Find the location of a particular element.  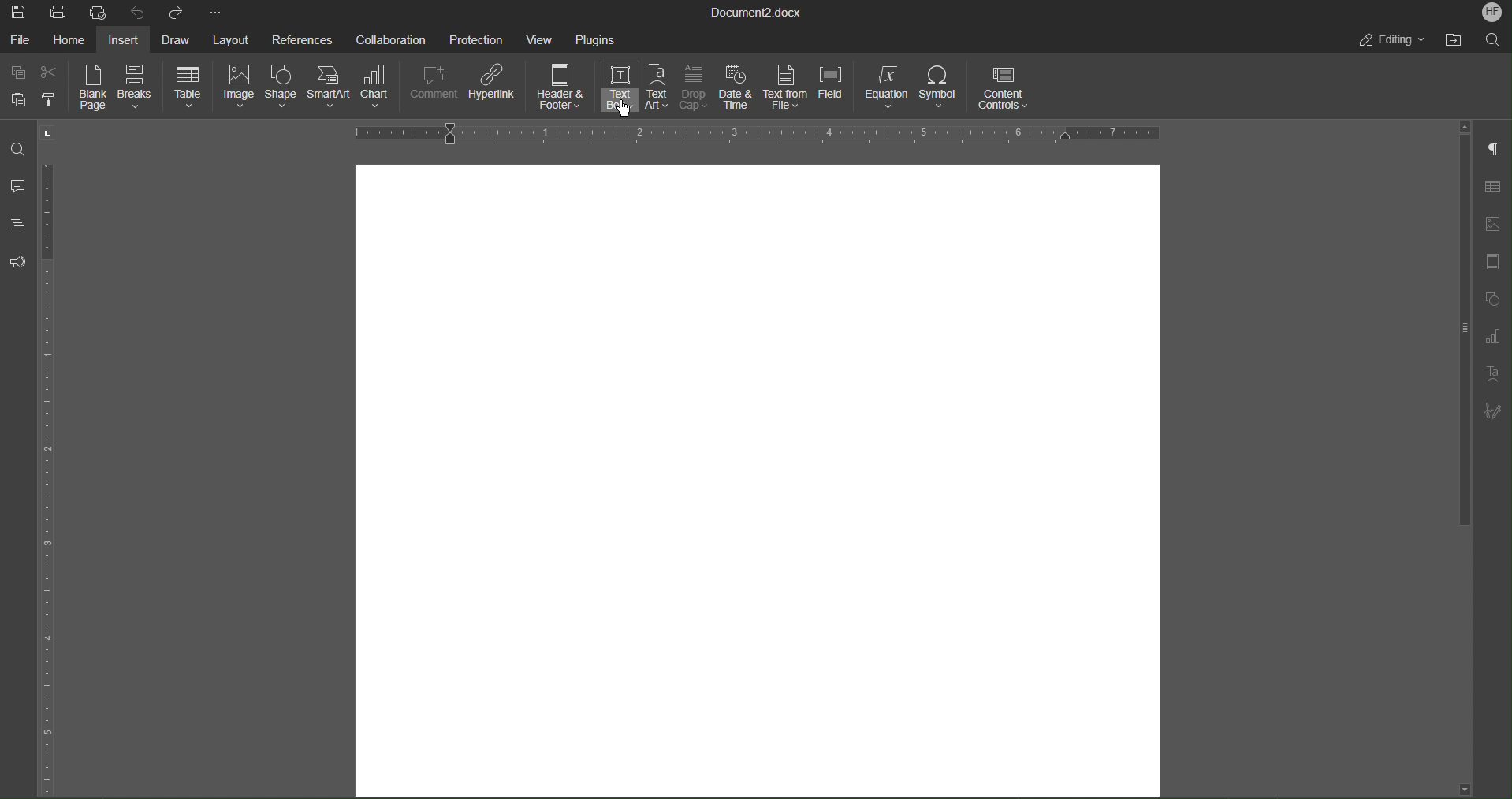

Editing is located at coordinates (1395, 42).